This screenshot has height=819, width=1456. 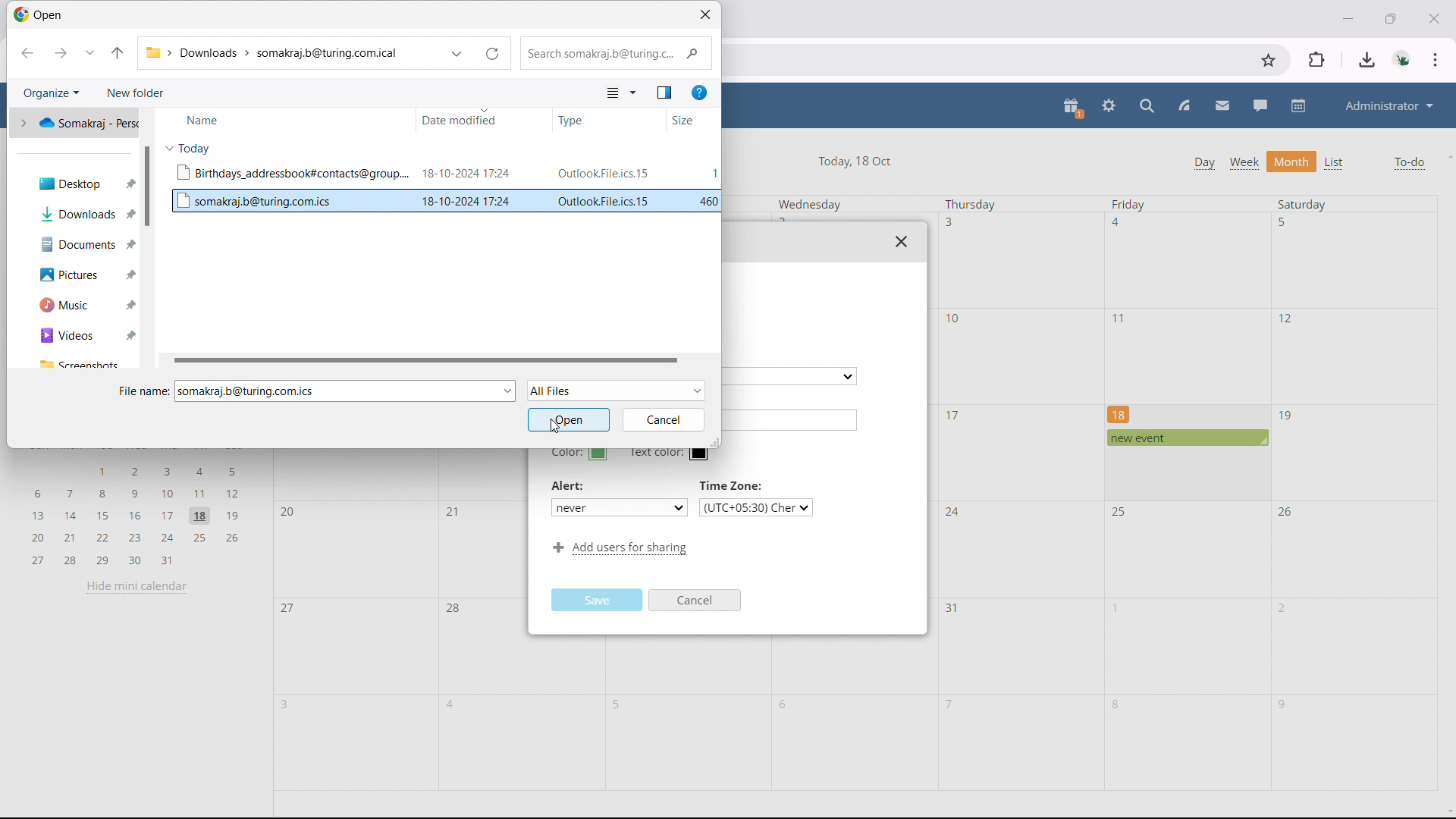 I want to click on feed, so click(x=1183, y=106).